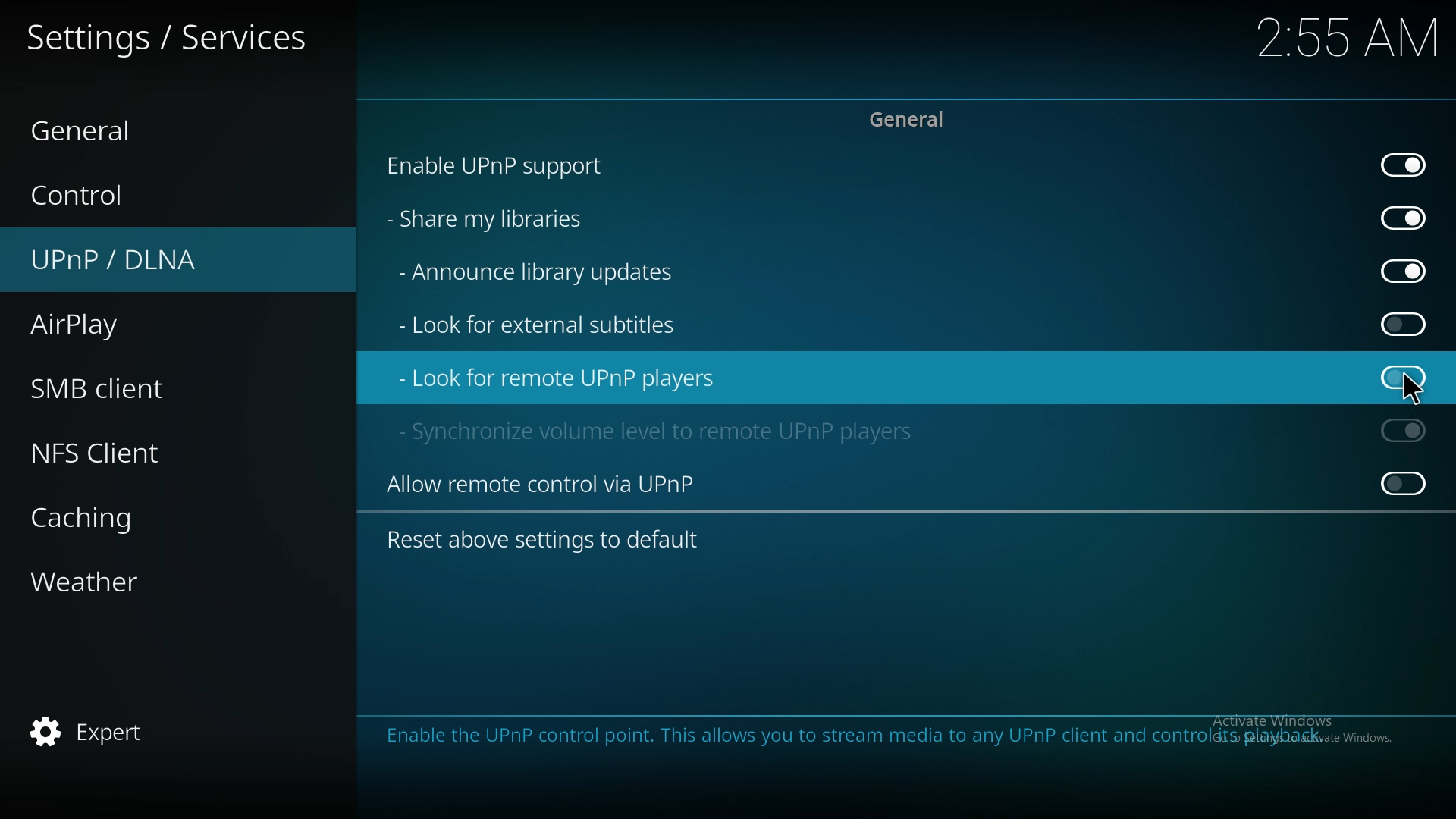 This screenshot has height=819, width=1456. What do you see at coordinates (674, 430) in the screenshot?
I see `sync volume level to remote upnp` at bounding box center [674, 430].